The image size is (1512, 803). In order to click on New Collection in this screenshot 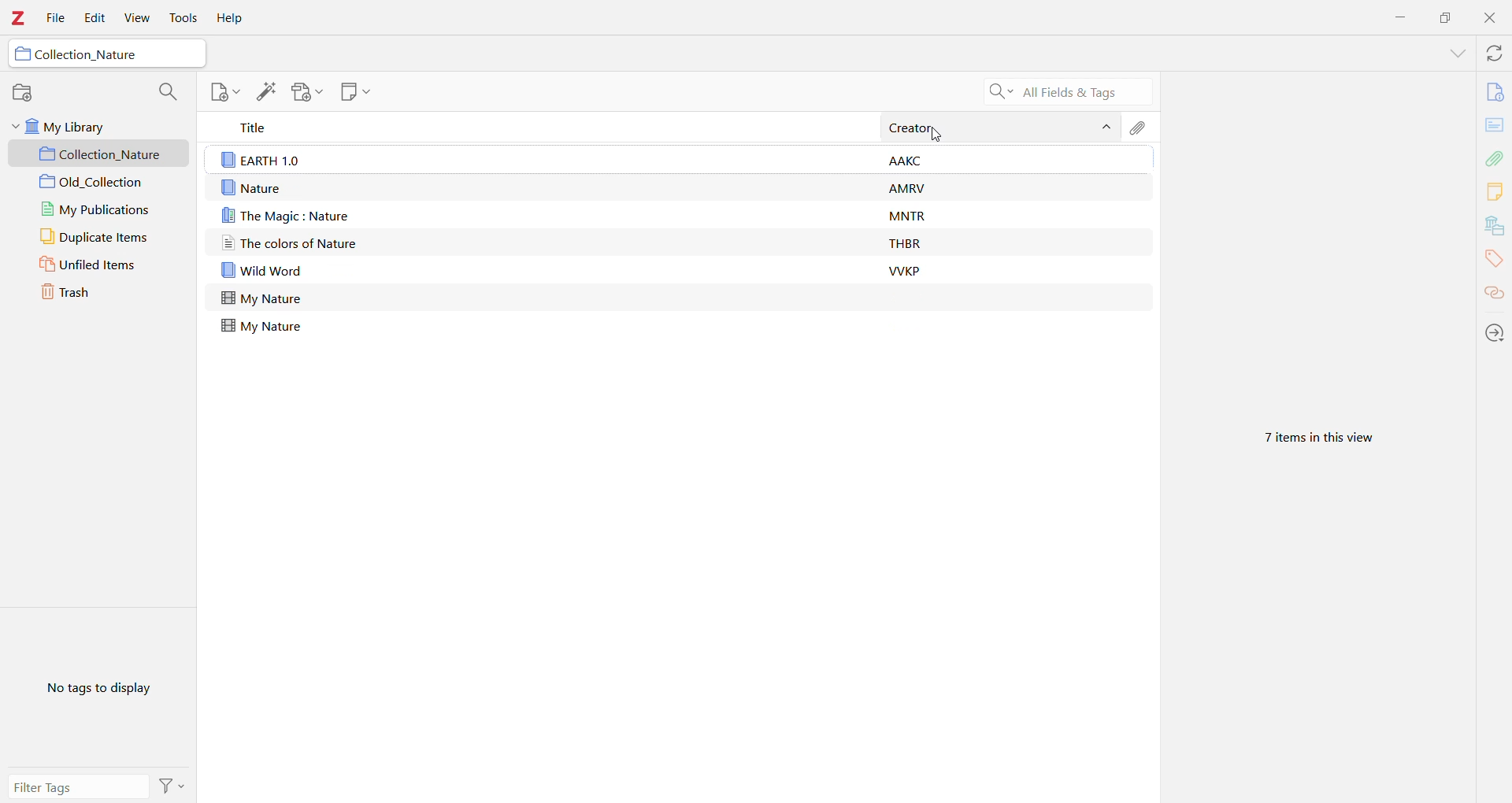, I will do `click(23, 91)`.